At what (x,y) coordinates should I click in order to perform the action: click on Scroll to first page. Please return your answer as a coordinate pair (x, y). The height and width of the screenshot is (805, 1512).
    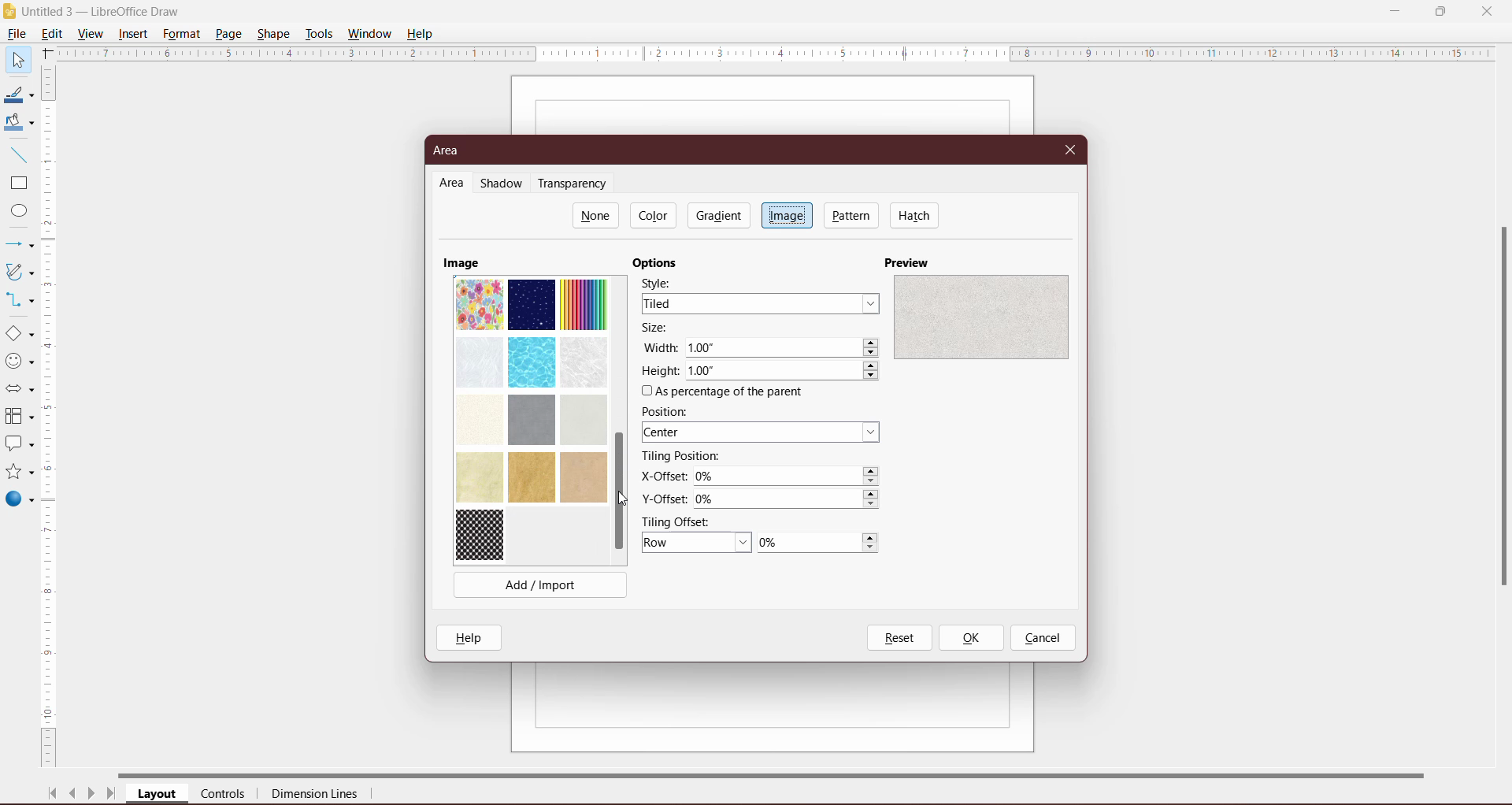
    Looking at the image, I should click on (53, 793).